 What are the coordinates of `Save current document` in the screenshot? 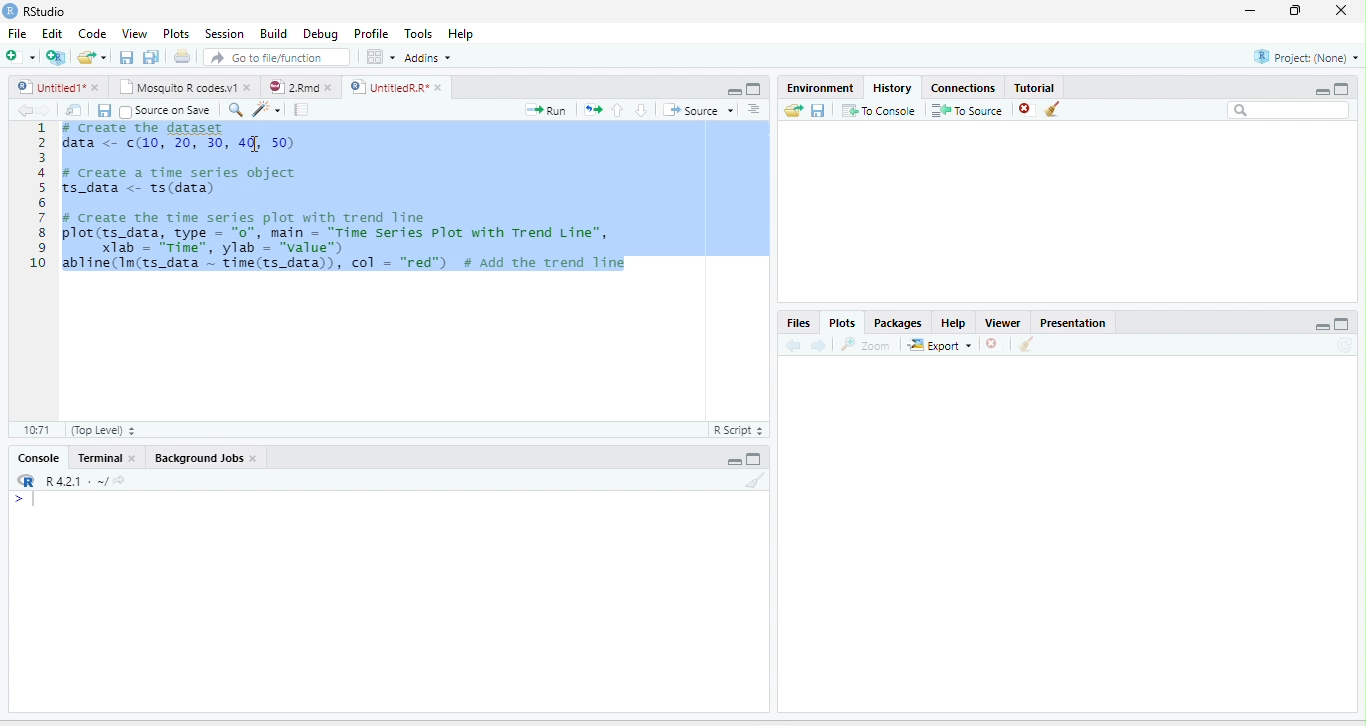 It's located at (126, 56).